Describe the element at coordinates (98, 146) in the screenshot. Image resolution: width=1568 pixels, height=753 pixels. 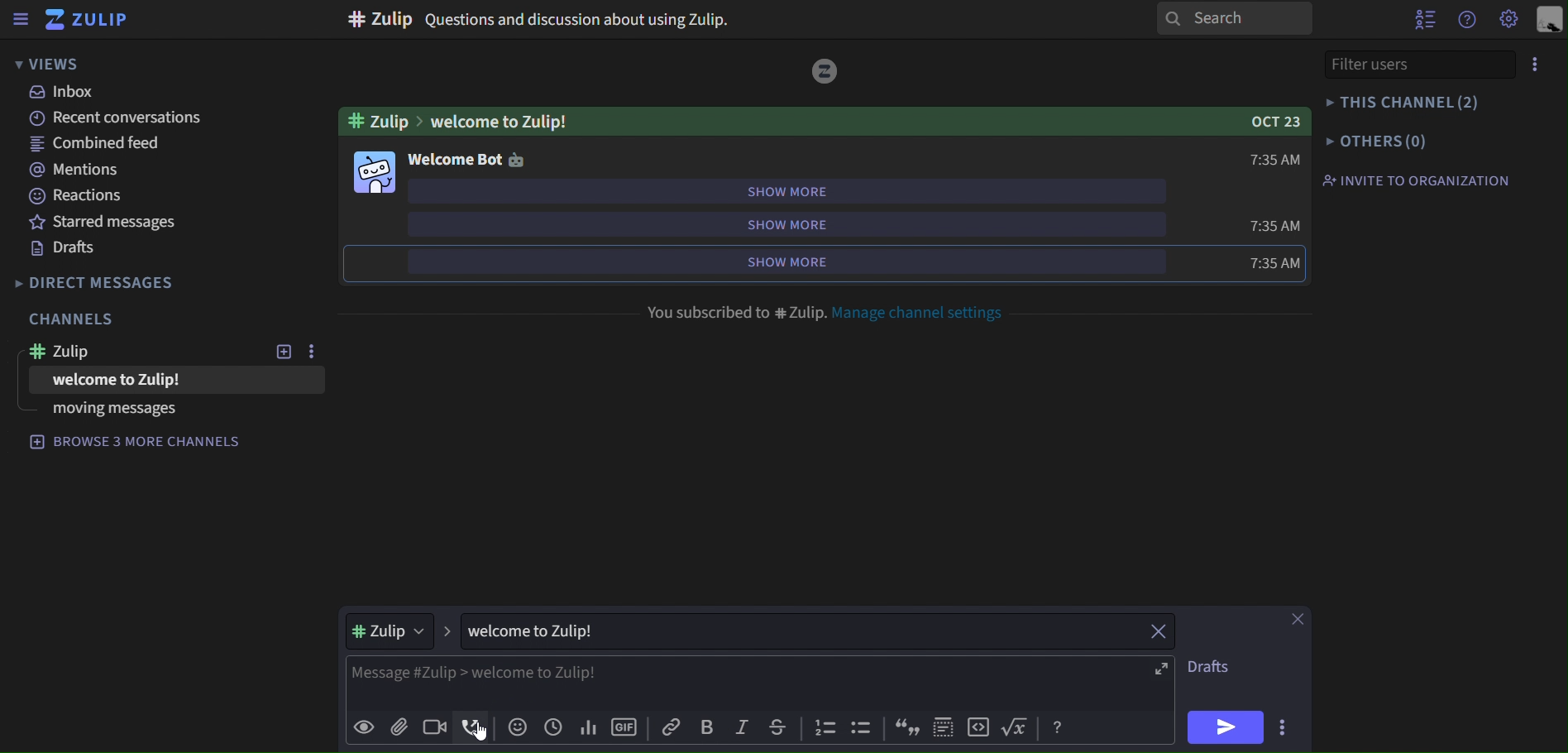
I see `combined feed` at that location.